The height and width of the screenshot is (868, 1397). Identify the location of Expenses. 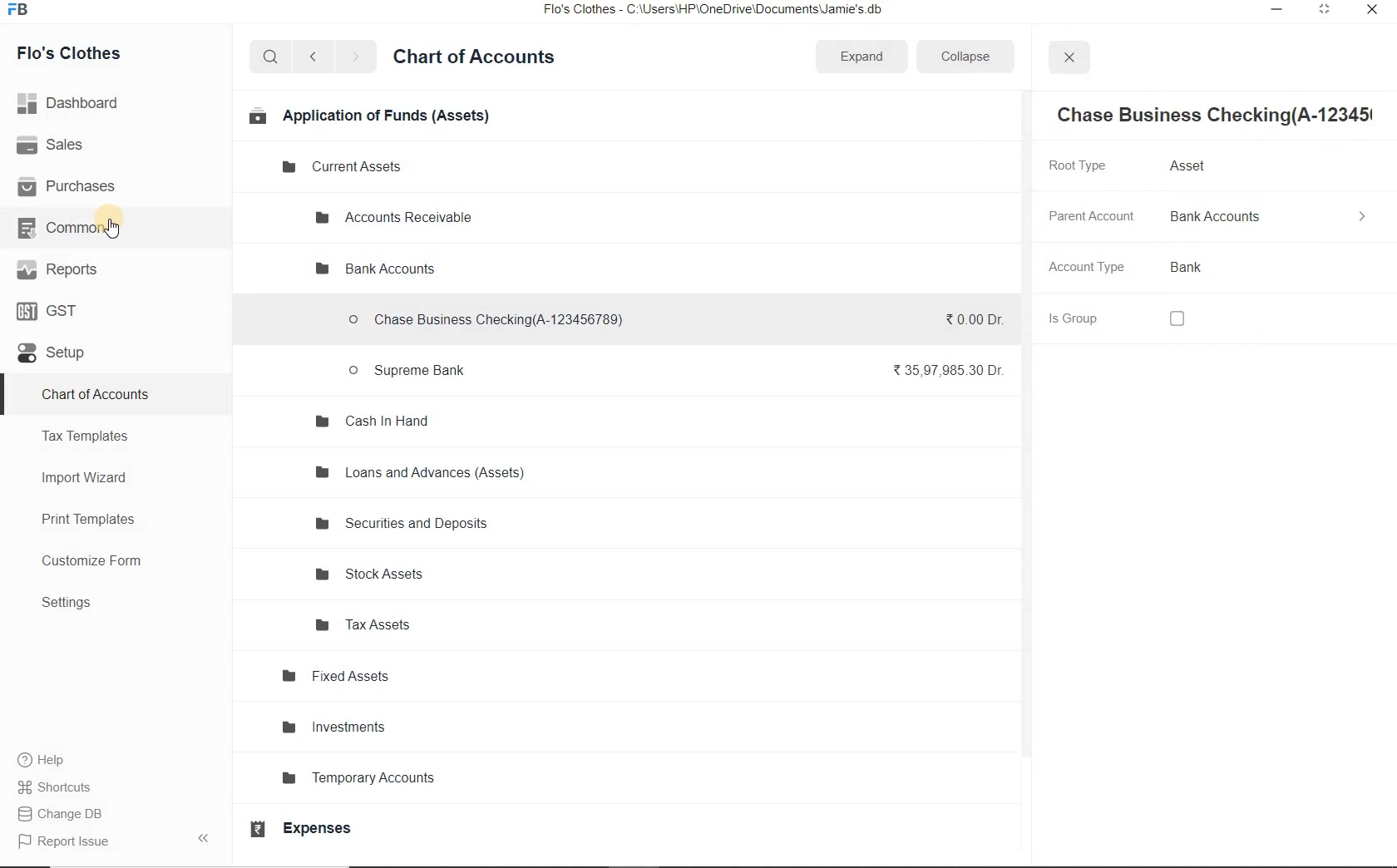
(320, 828).